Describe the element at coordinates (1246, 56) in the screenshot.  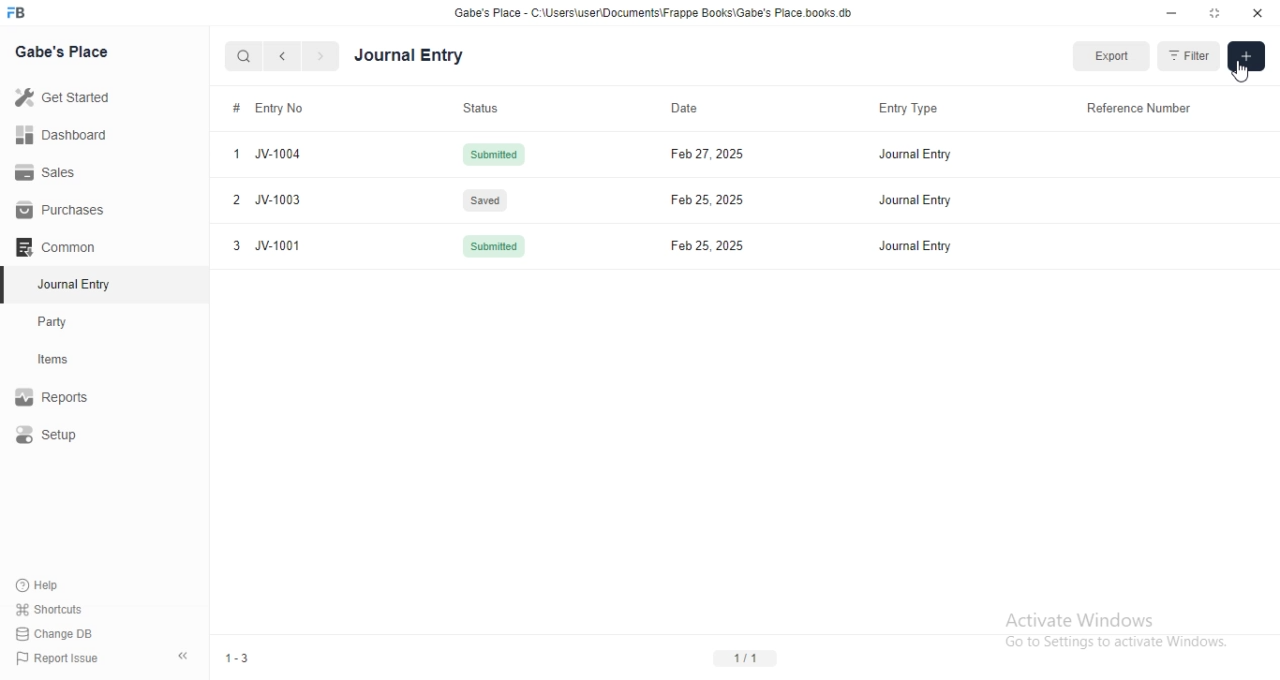
I see `add item` at that location.